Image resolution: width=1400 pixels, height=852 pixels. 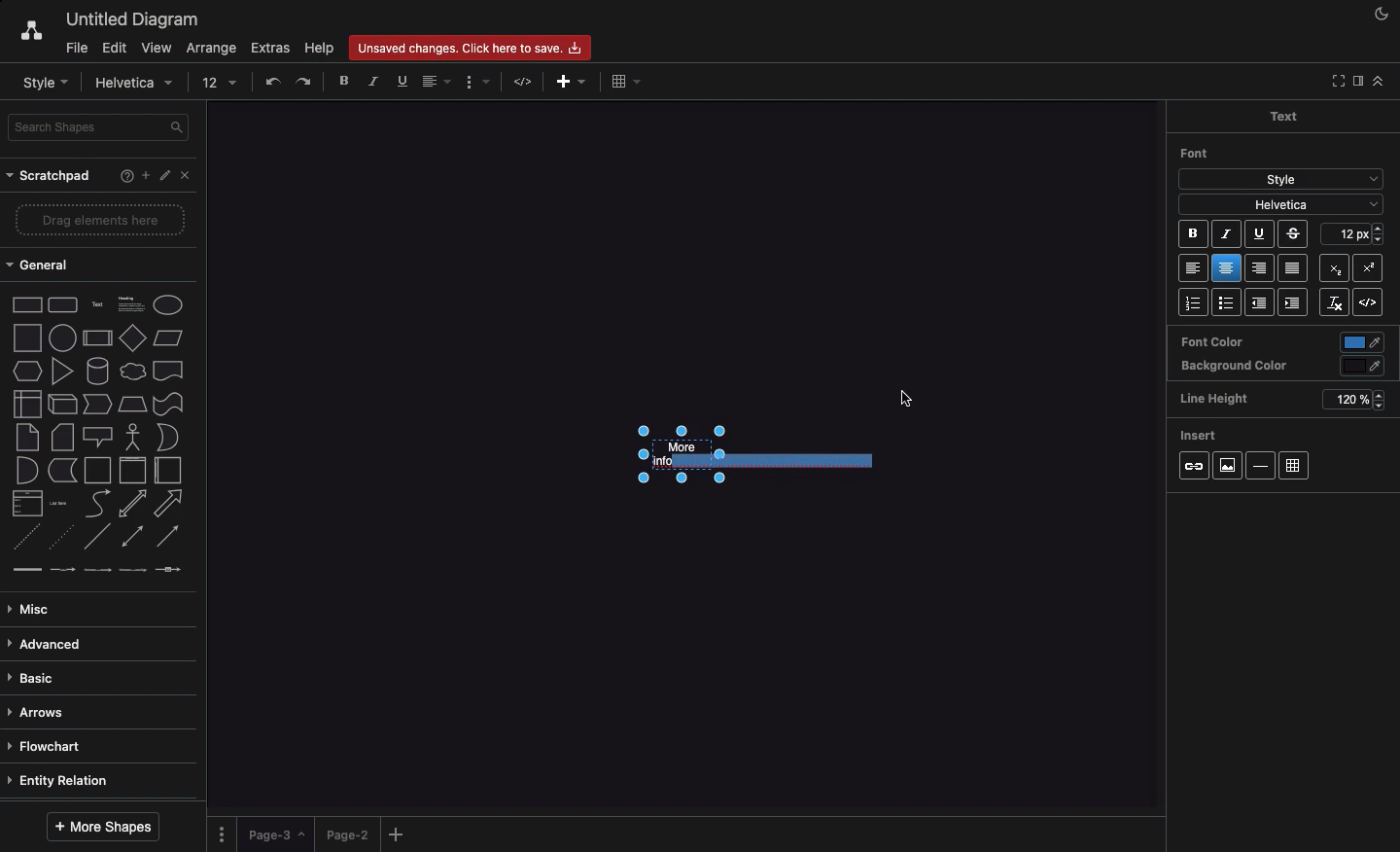 I want to click on Helvetica, so click(x=1281, y=203).